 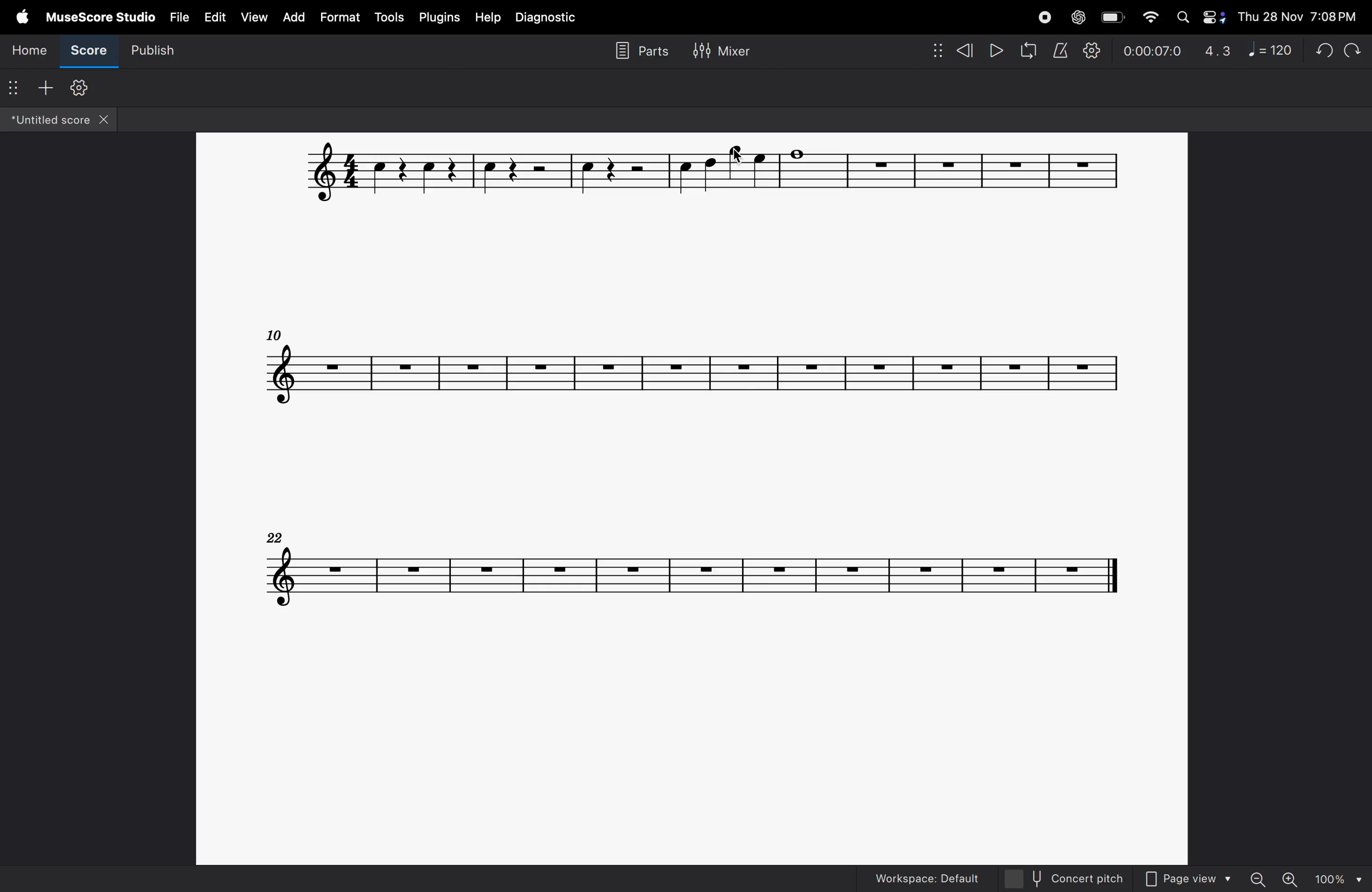 I want to click on publish, so click(x=149, y=50).